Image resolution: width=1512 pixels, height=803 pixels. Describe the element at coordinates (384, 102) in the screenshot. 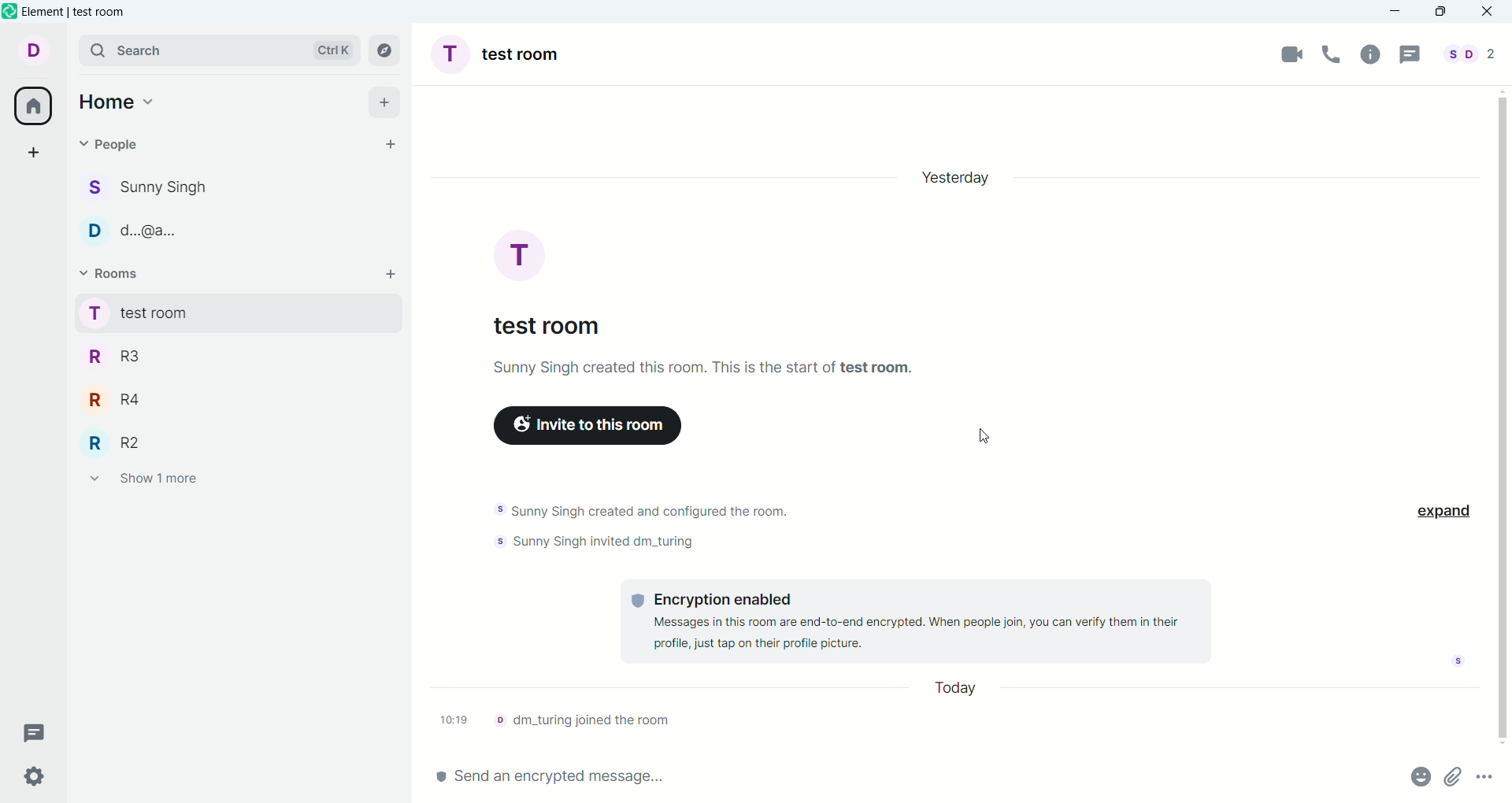

I see `add` at that location.